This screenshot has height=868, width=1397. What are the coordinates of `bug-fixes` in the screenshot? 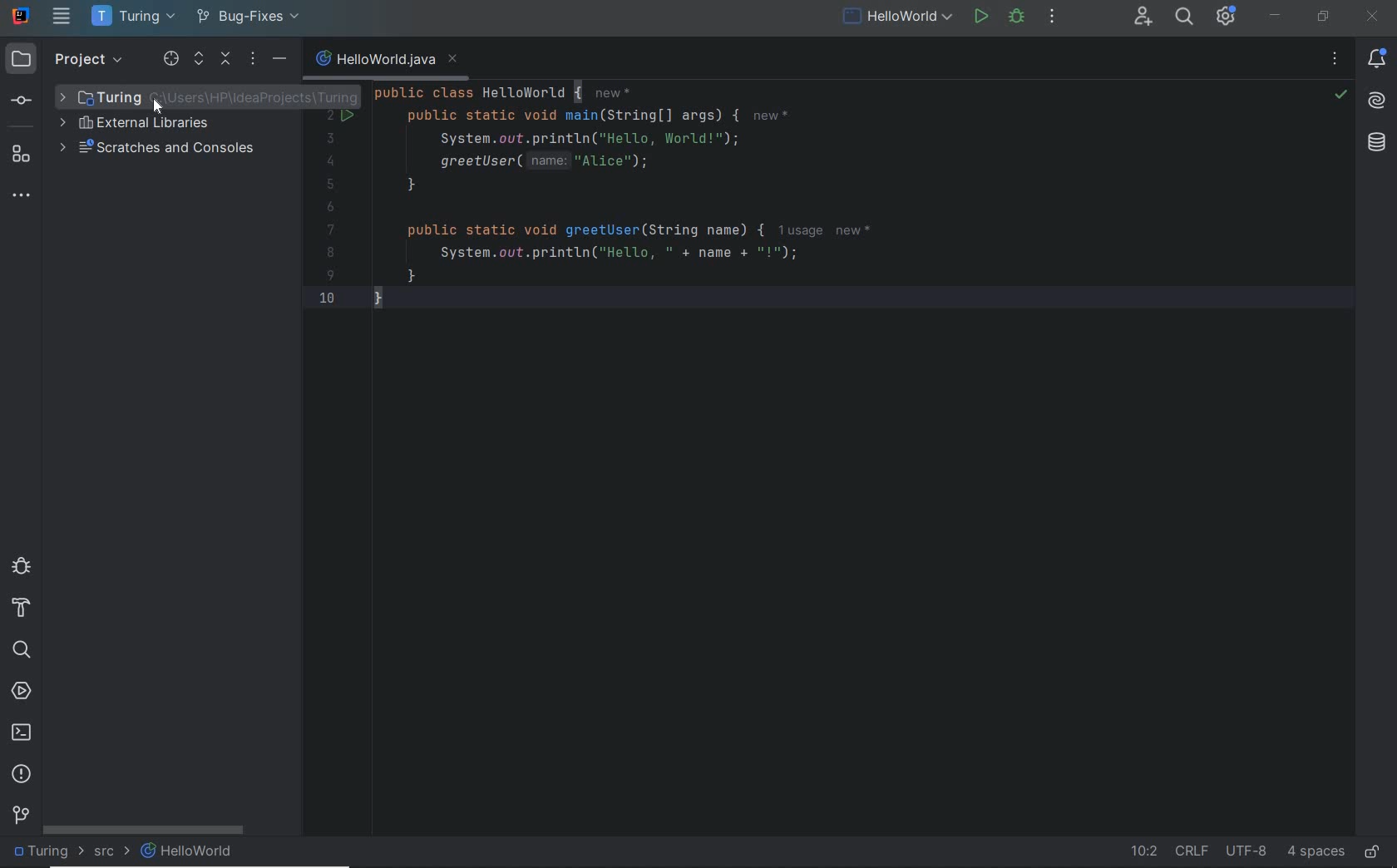 It's located at (247, 18).